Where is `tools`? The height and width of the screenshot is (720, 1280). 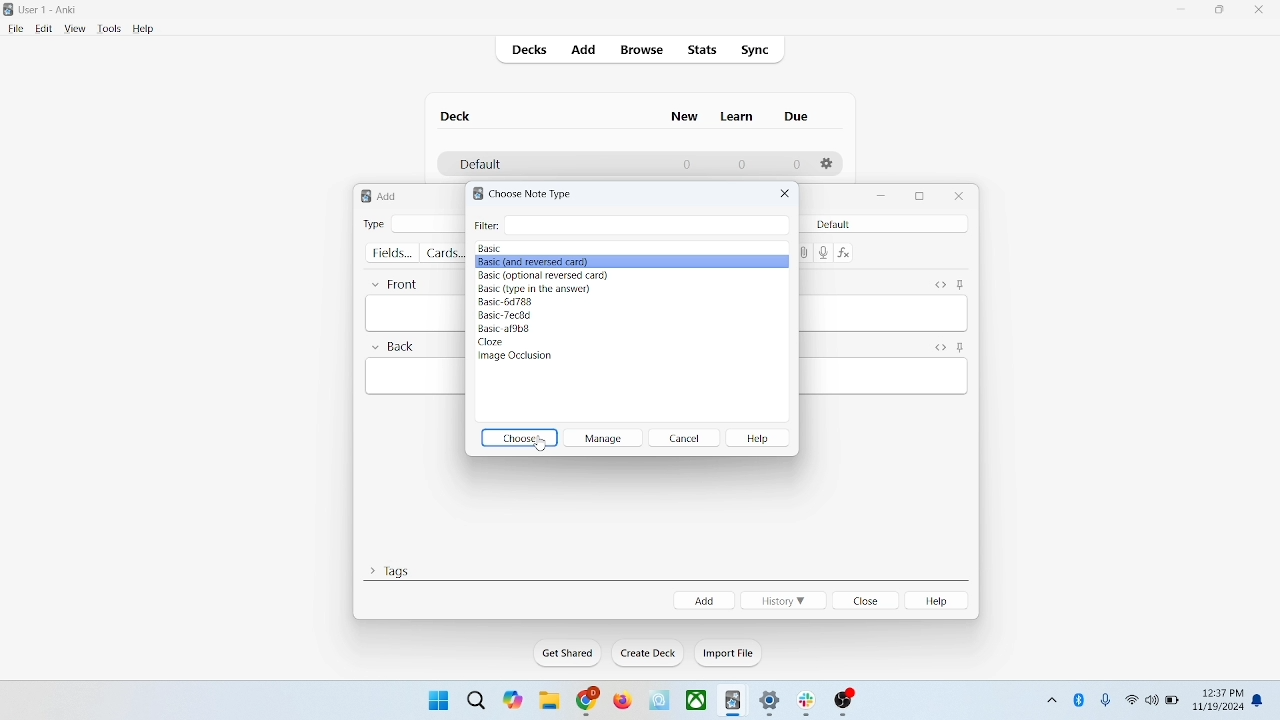
tools is located at coordinates (108, 29).